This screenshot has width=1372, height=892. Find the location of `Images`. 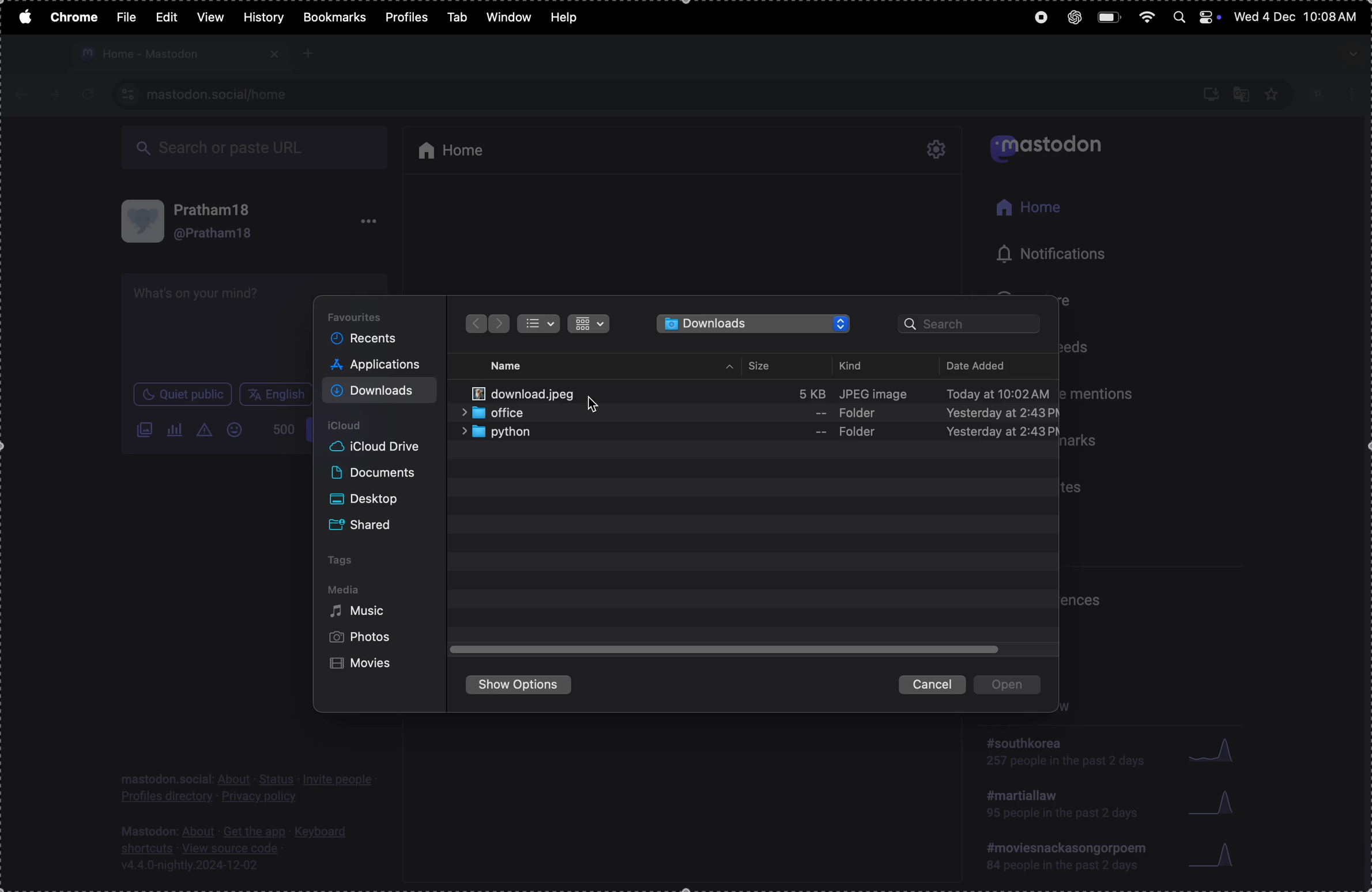

Images is located at coordinates (144, 432).